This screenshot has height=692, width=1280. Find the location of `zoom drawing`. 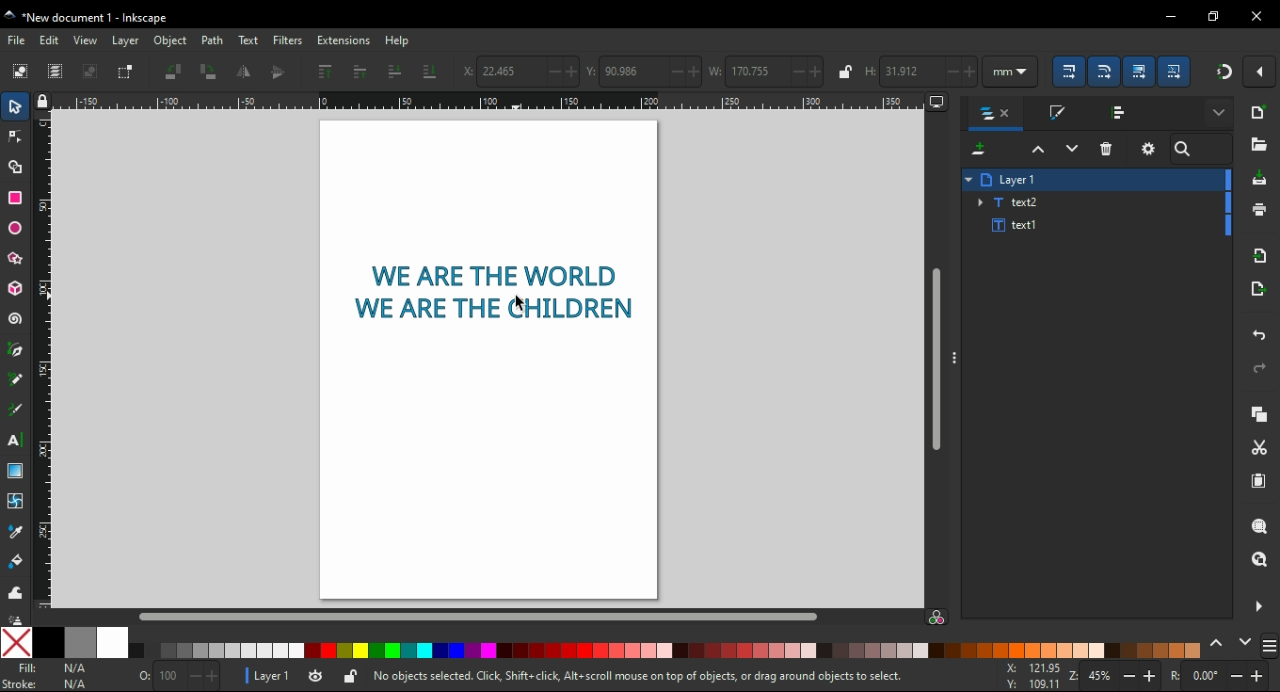

zoom drawing is located at coordinates (1260, 565).